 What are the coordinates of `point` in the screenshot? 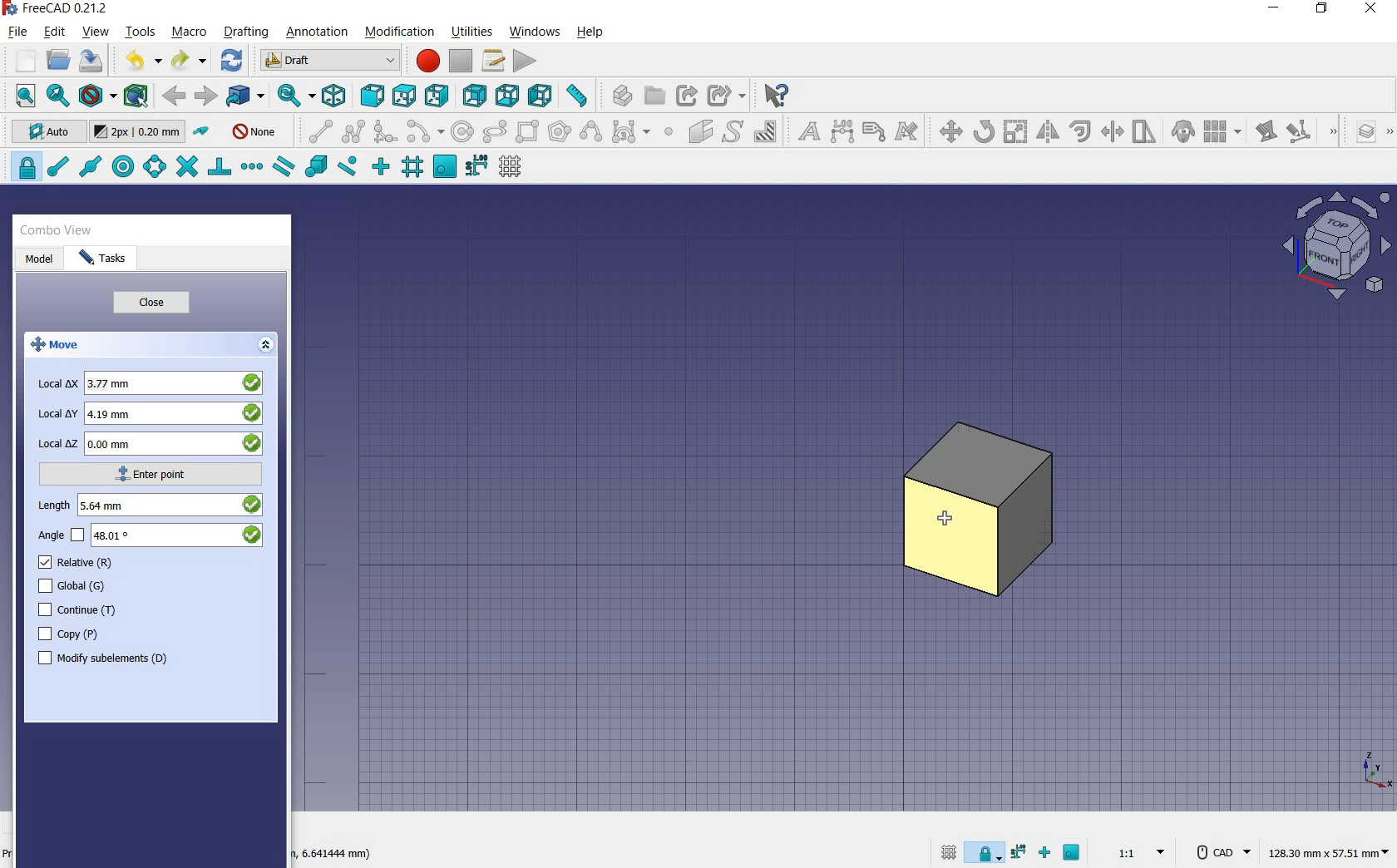 It's located at (669, 133).